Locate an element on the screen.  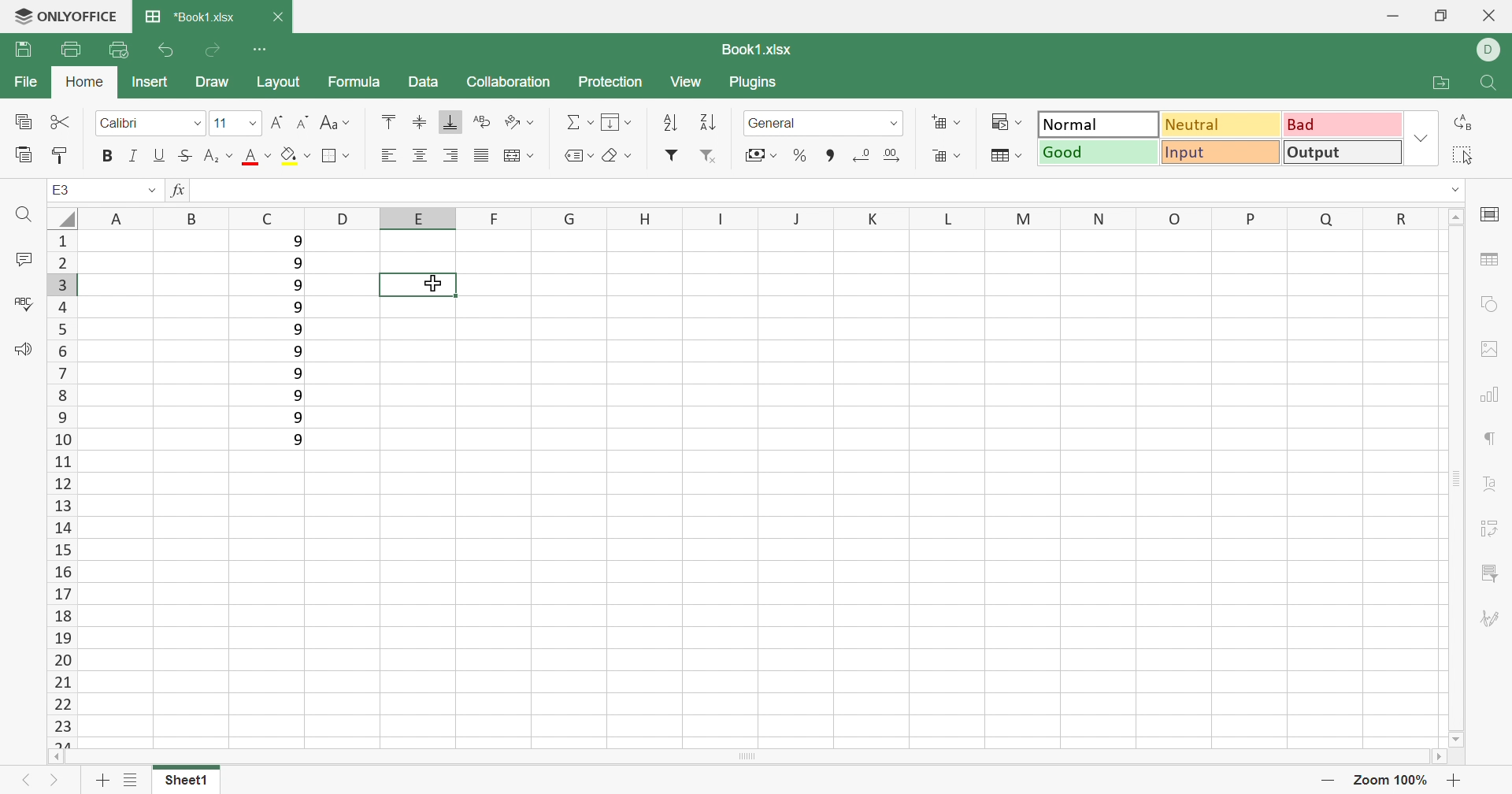
Justified is located at coordinates (481, 154).